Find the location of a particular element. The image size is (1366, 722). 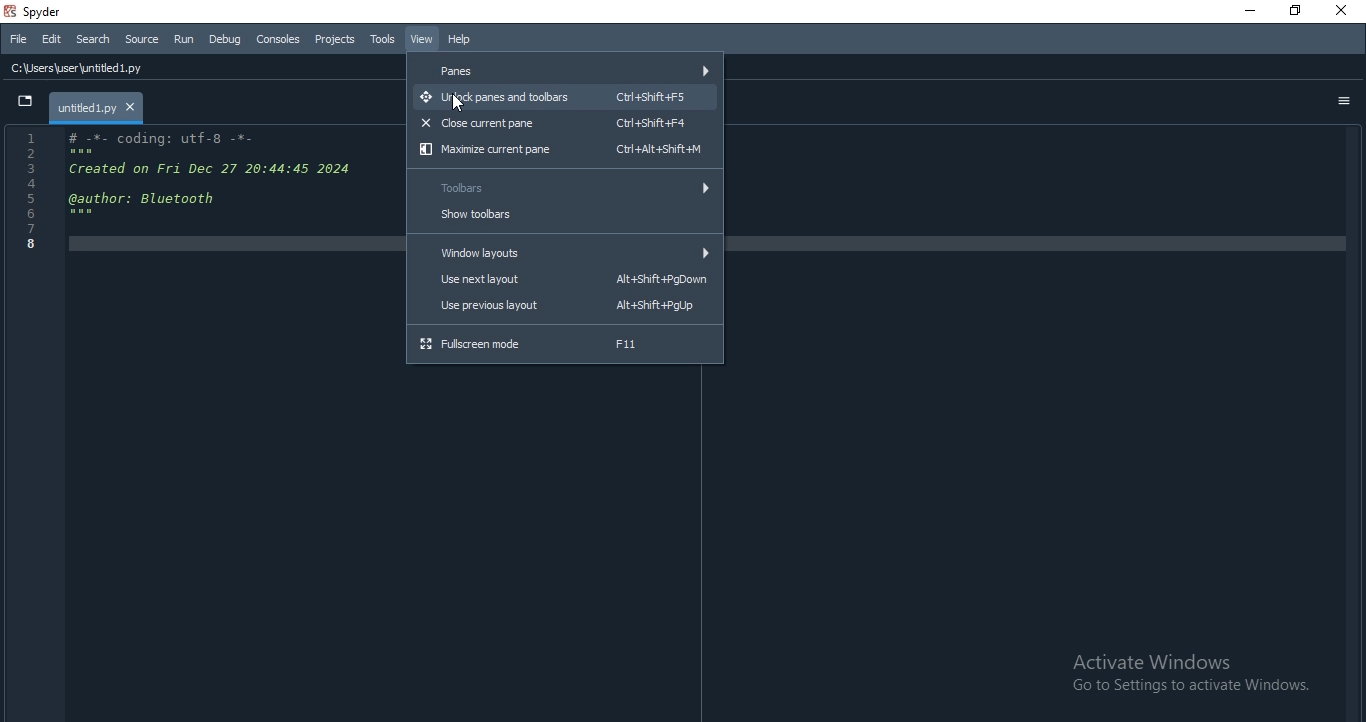

close current pane is located at coordinates (564, 122).